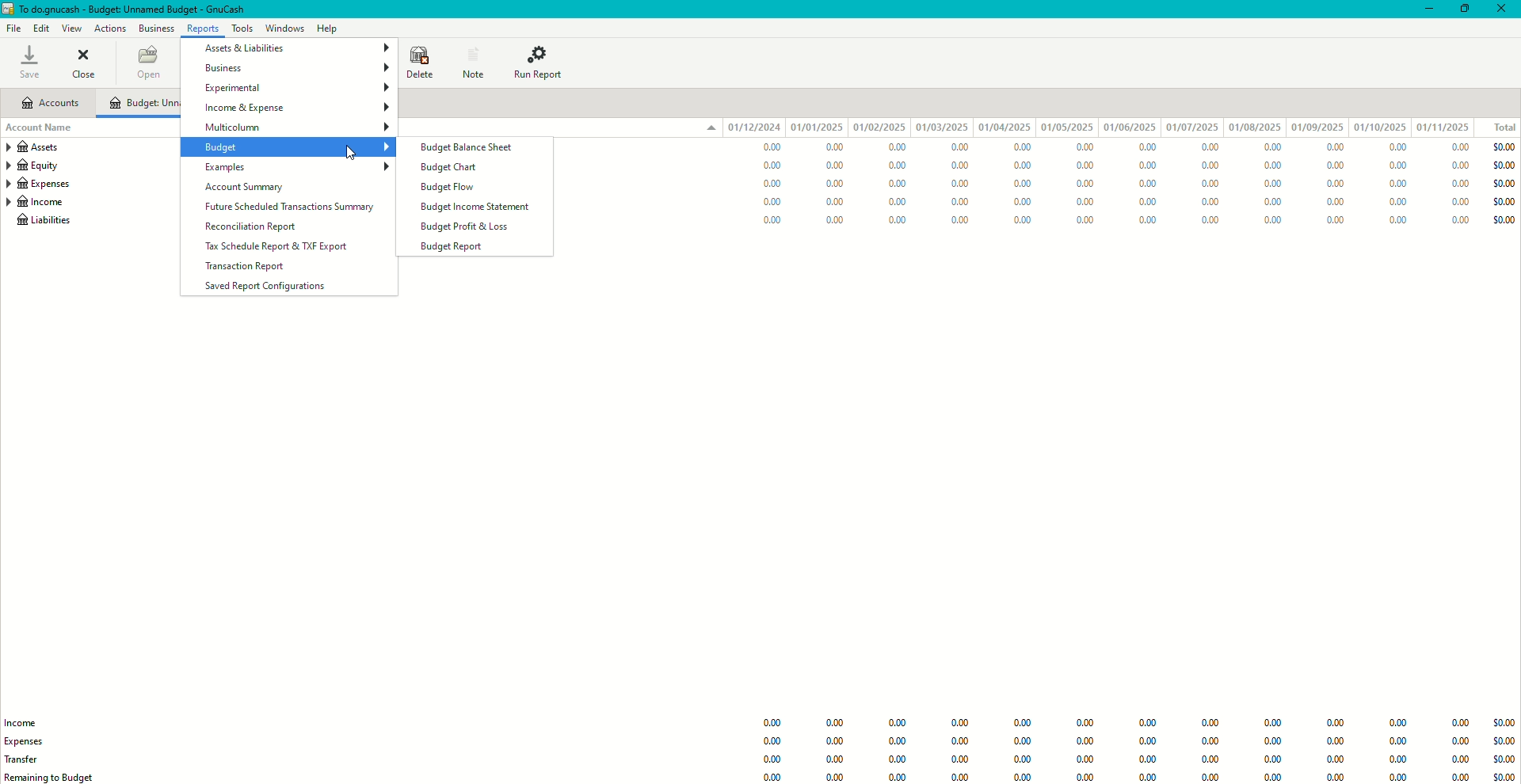 This screenshot has width=1521, height=784. I want to click on 0.00, so click(840, 776).